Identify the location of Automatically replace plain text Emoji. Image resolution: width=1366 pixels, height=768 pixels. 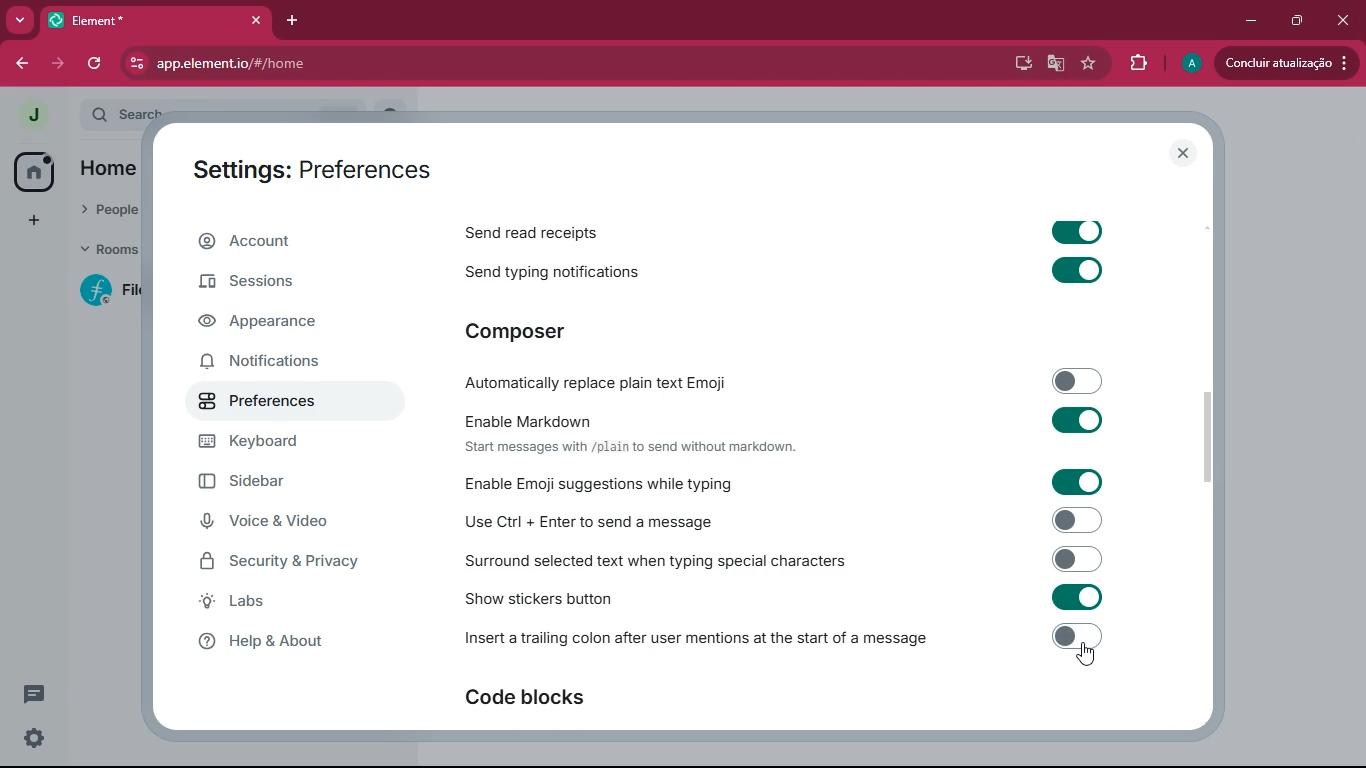
(783, 380).